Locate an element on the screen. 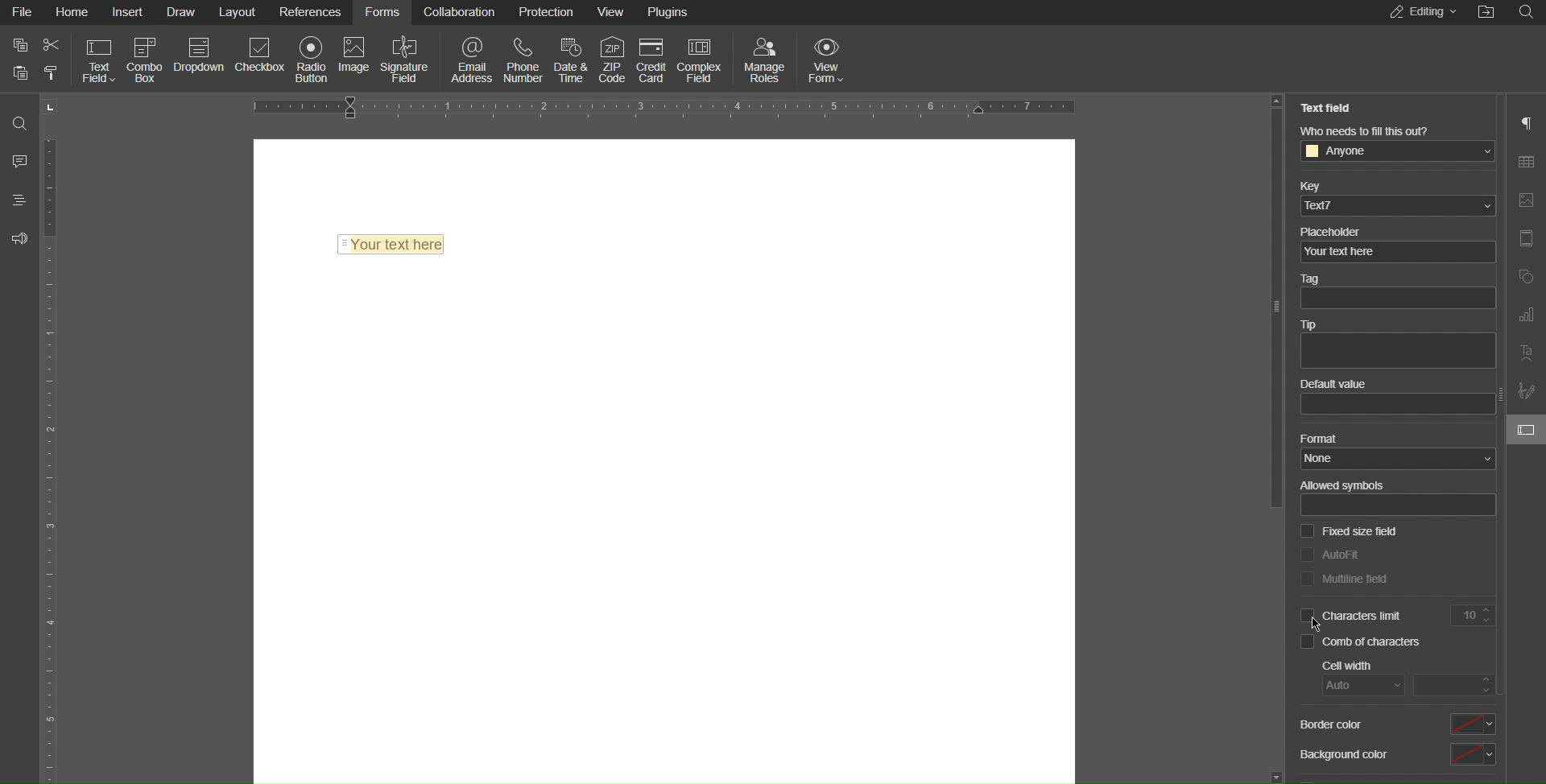 This screenshot has width=1546, height=784. paste is located at coordinates (51, 74).